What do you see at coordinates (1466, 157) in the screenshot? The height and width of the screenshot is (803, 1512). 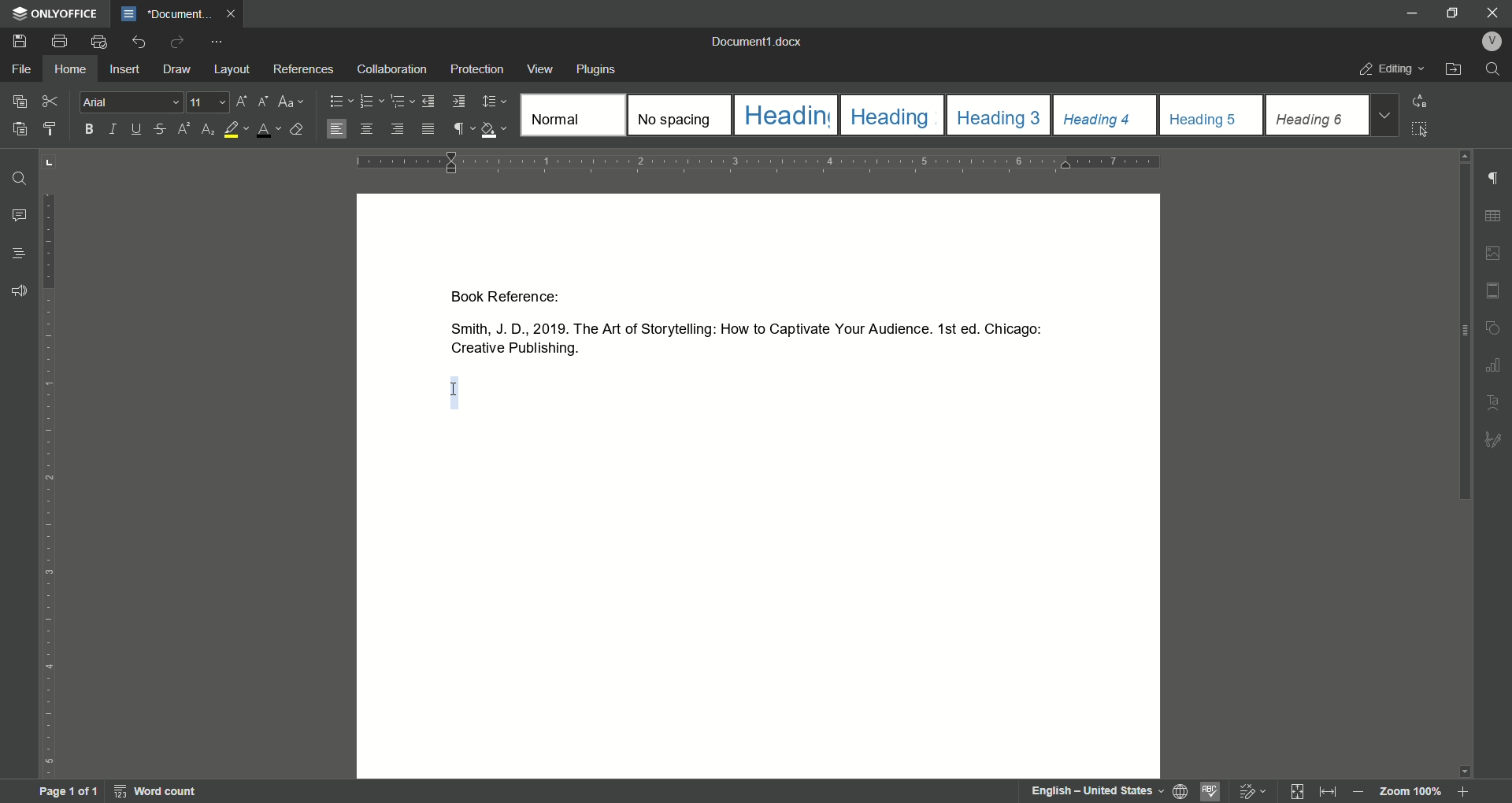 I see `roll` at bounding box center [1466, 157].